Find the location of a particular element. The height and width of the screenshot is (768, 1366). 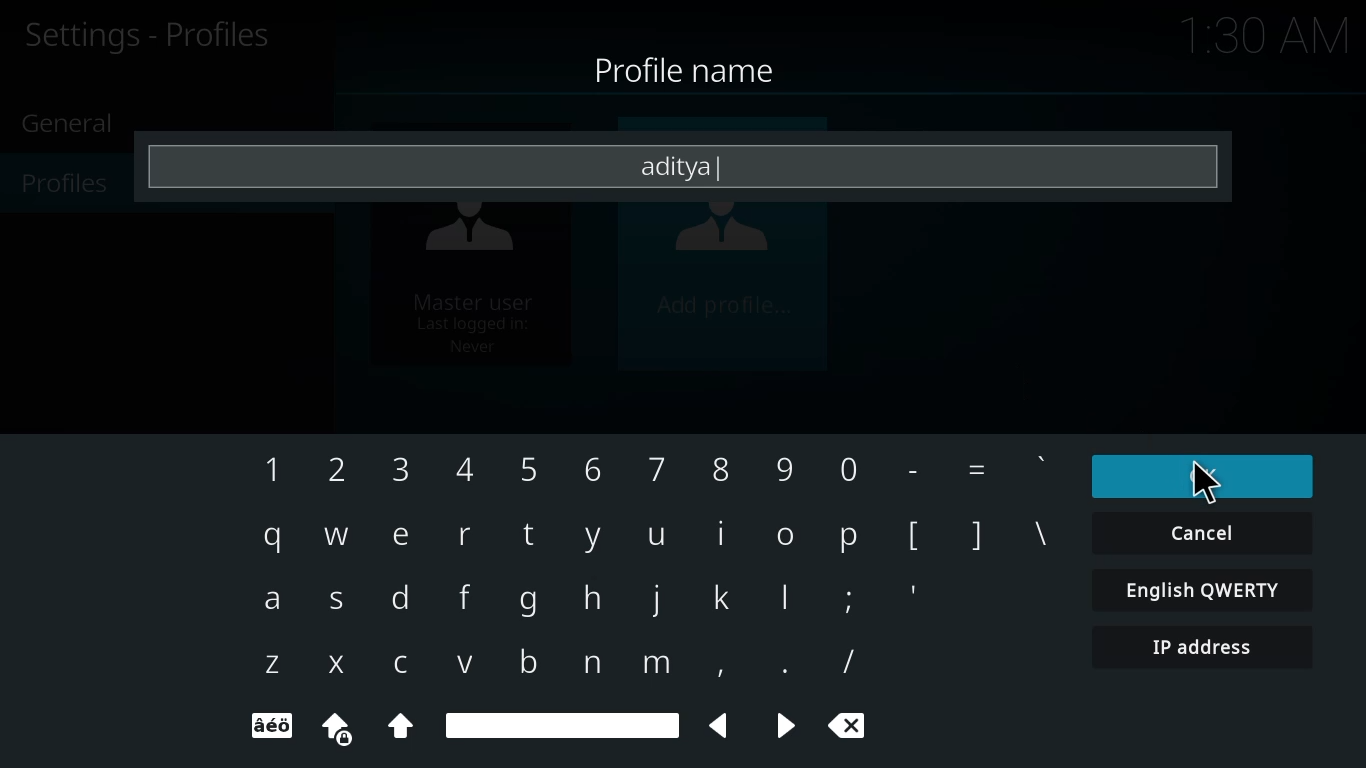

ok is located at coordinates (1228, 477).